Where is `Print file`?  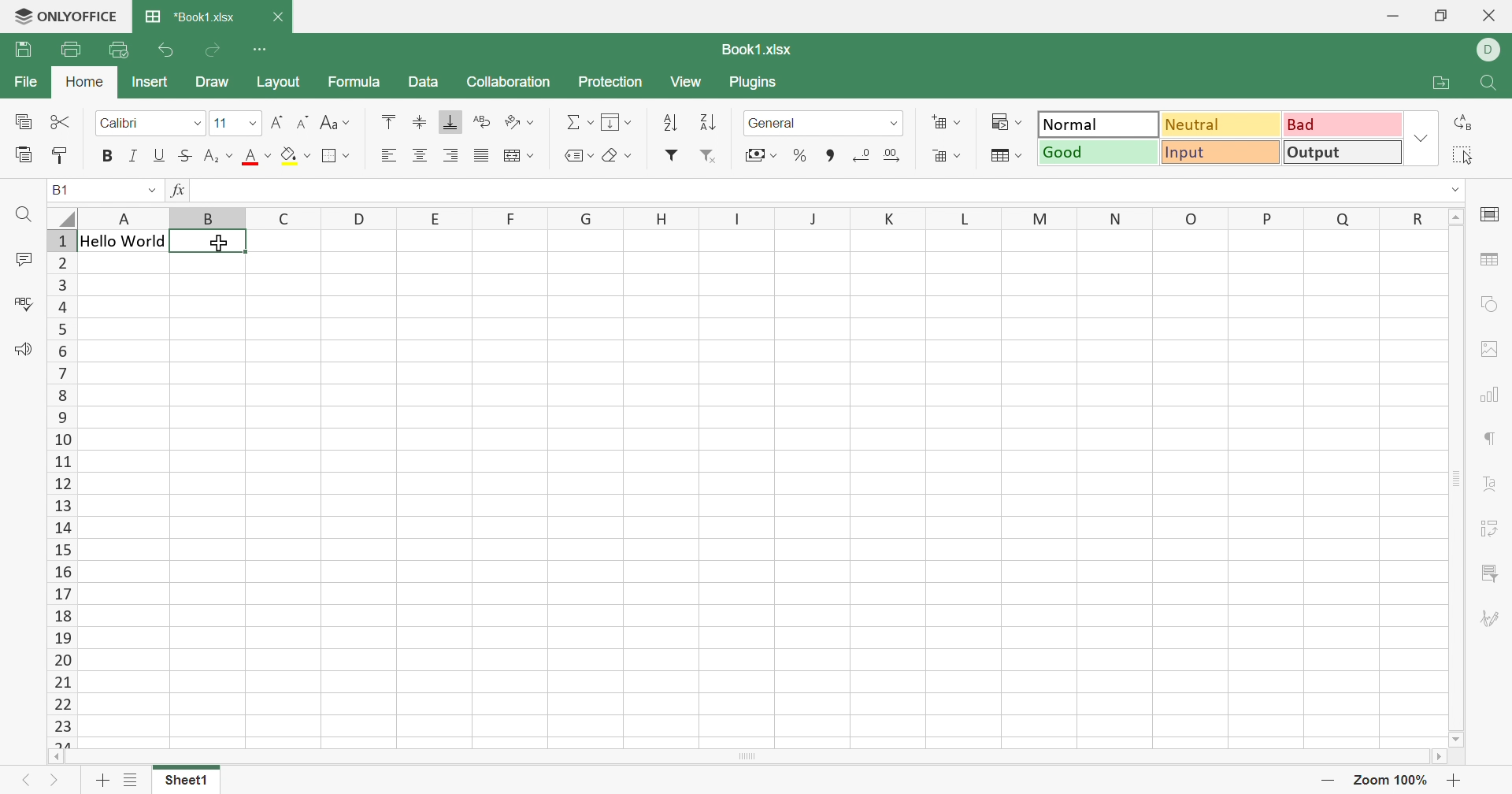 Print file is located at coordinates (69, 49).